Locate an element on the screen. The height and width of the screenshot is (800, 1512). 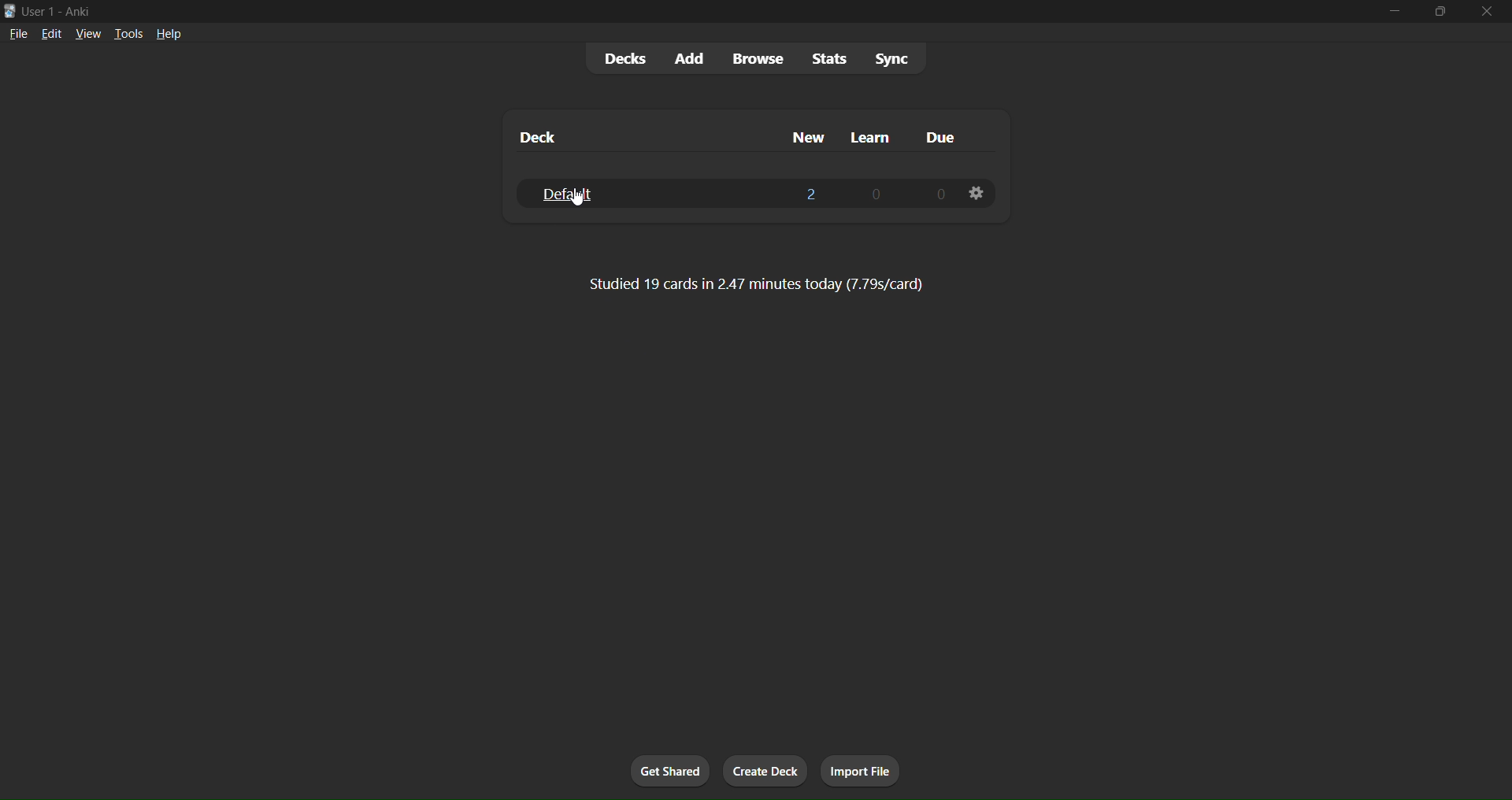
file is located at coordinates (18, 37).